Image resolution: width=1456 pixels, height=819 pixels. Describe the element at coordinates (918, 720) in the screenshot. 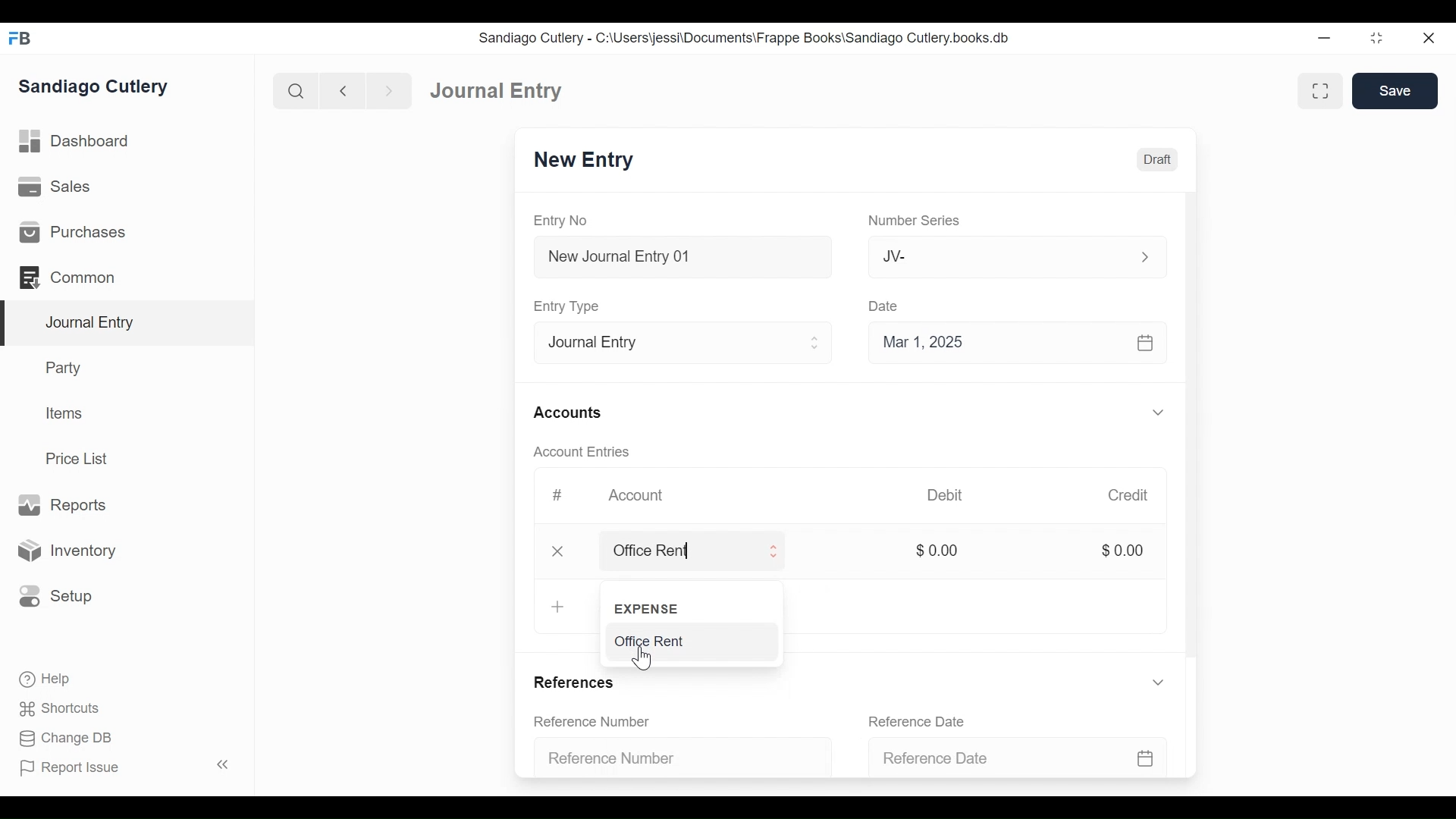

I see `Reference Date` at that location.